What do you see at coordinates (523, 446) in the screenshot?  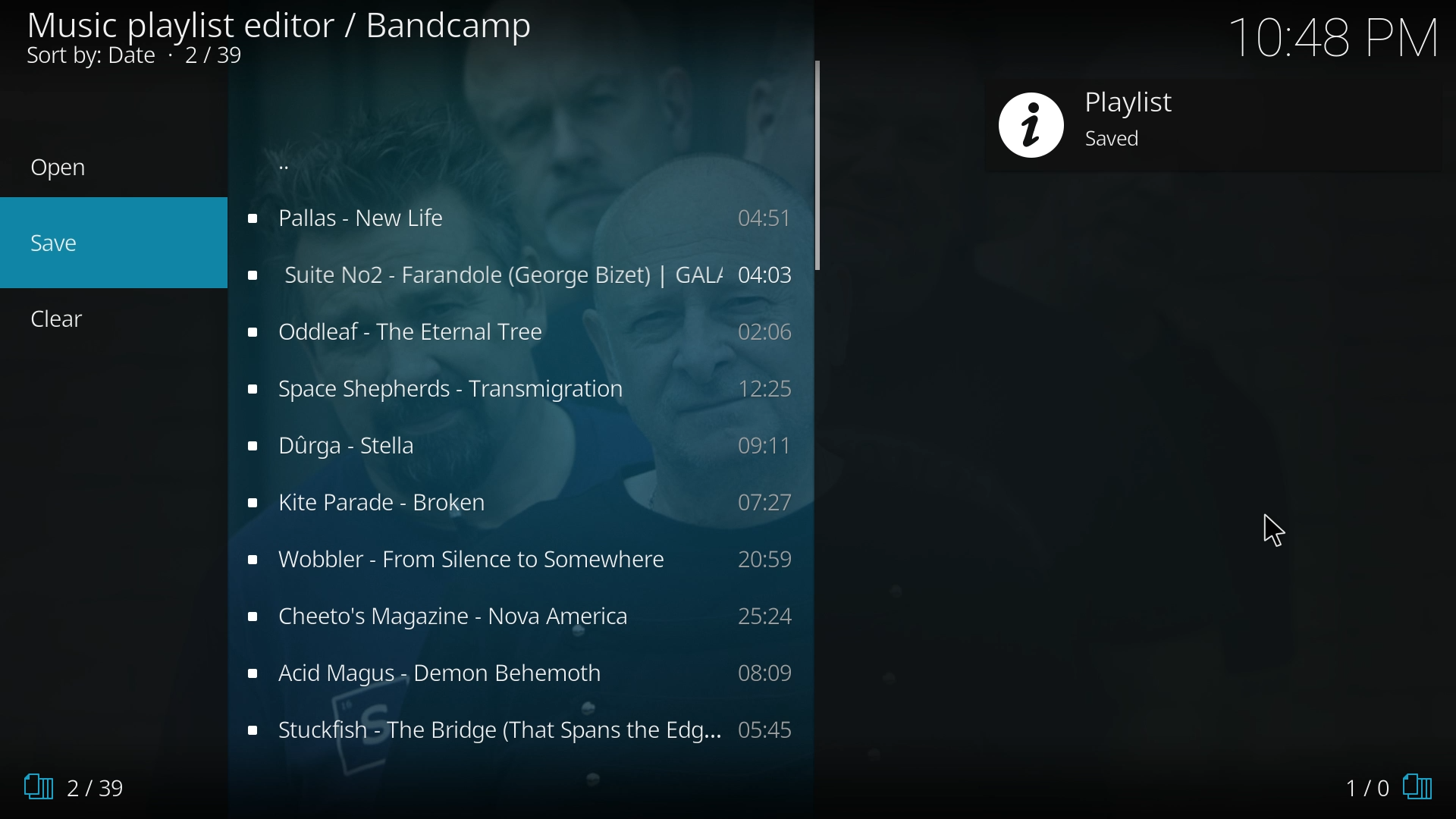 I see `song` at bounding box center [523, 446].